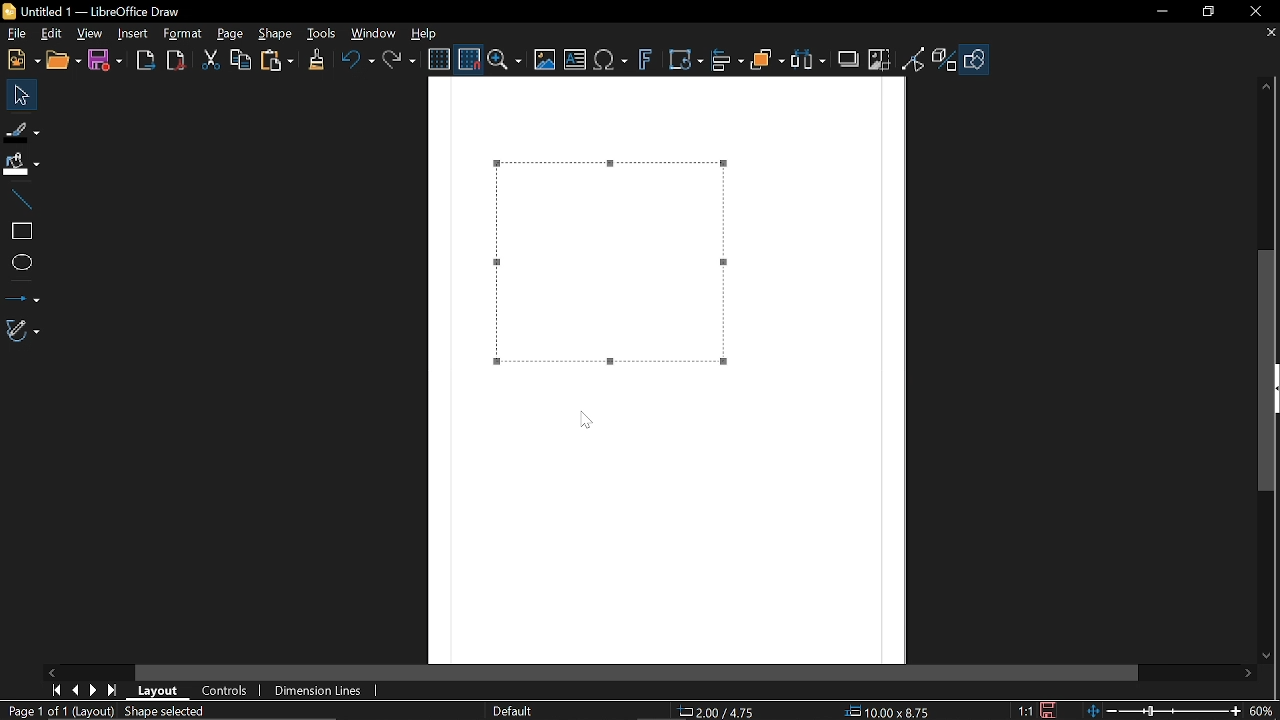 The image size is (1280, 720). What do you see at coordinates (687, 61) in the screenshot?
I see `Transformations` at bounding box center [687, 61].